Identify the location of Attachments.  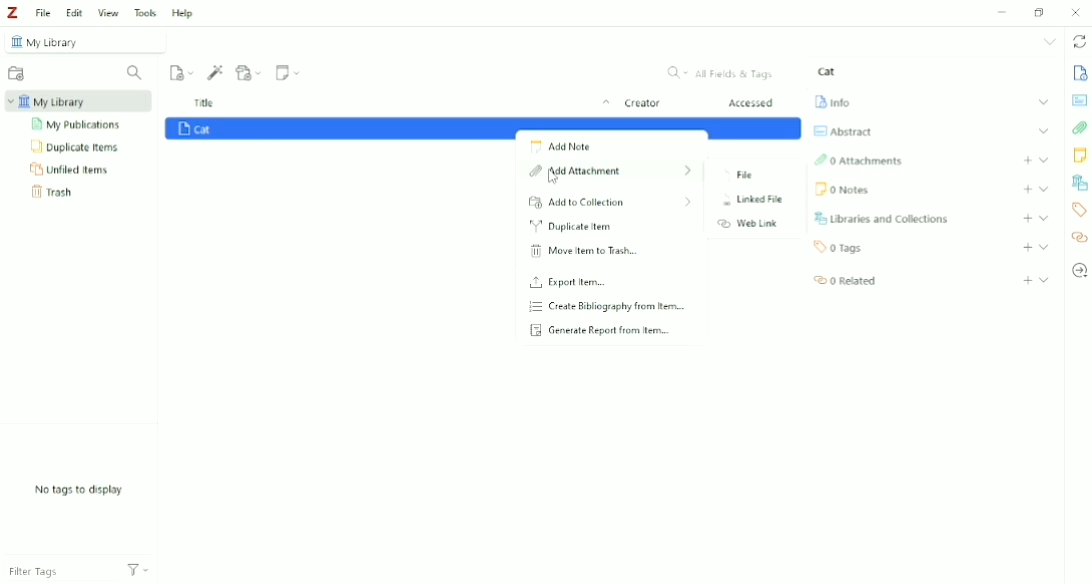
(858, 161).